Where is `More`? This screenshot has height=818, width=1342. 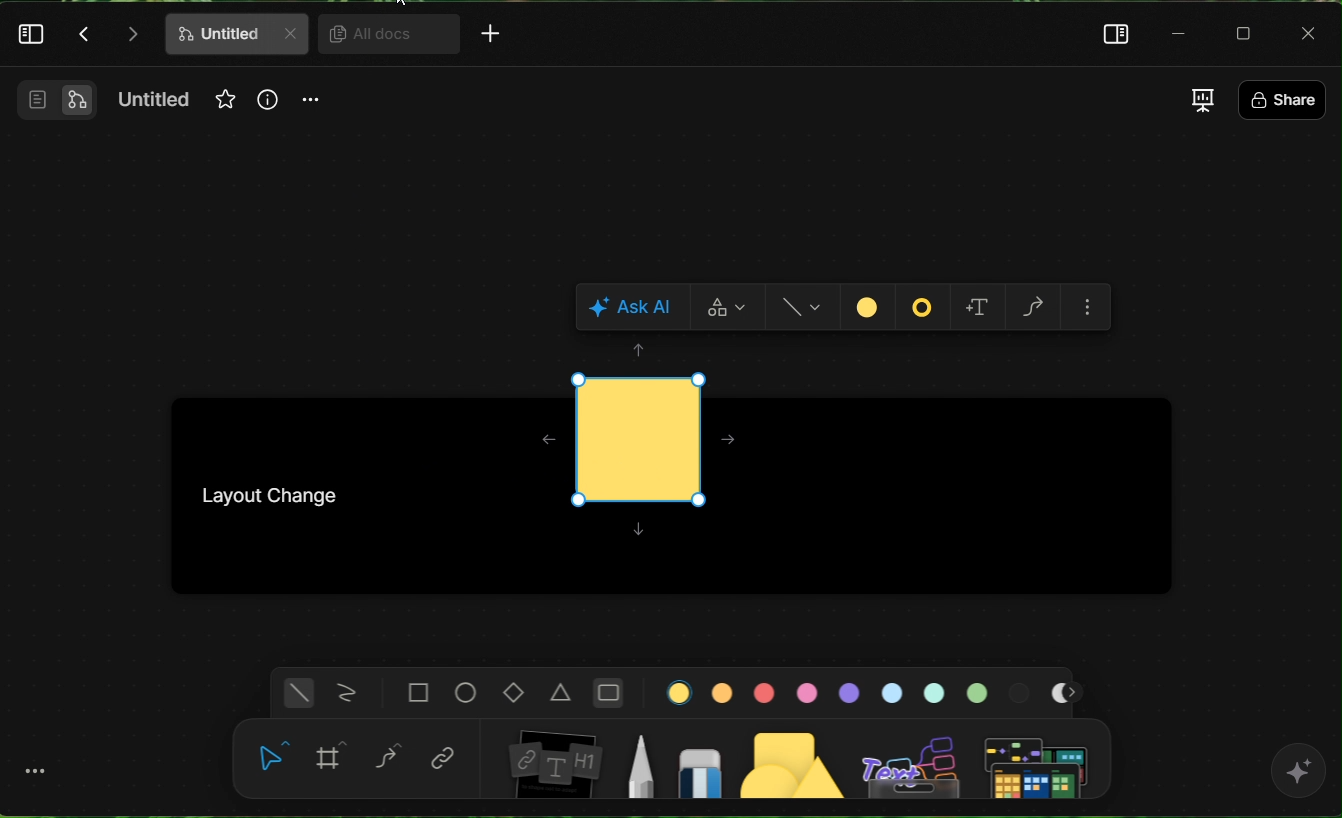
More is located at coordinates (496, 37).